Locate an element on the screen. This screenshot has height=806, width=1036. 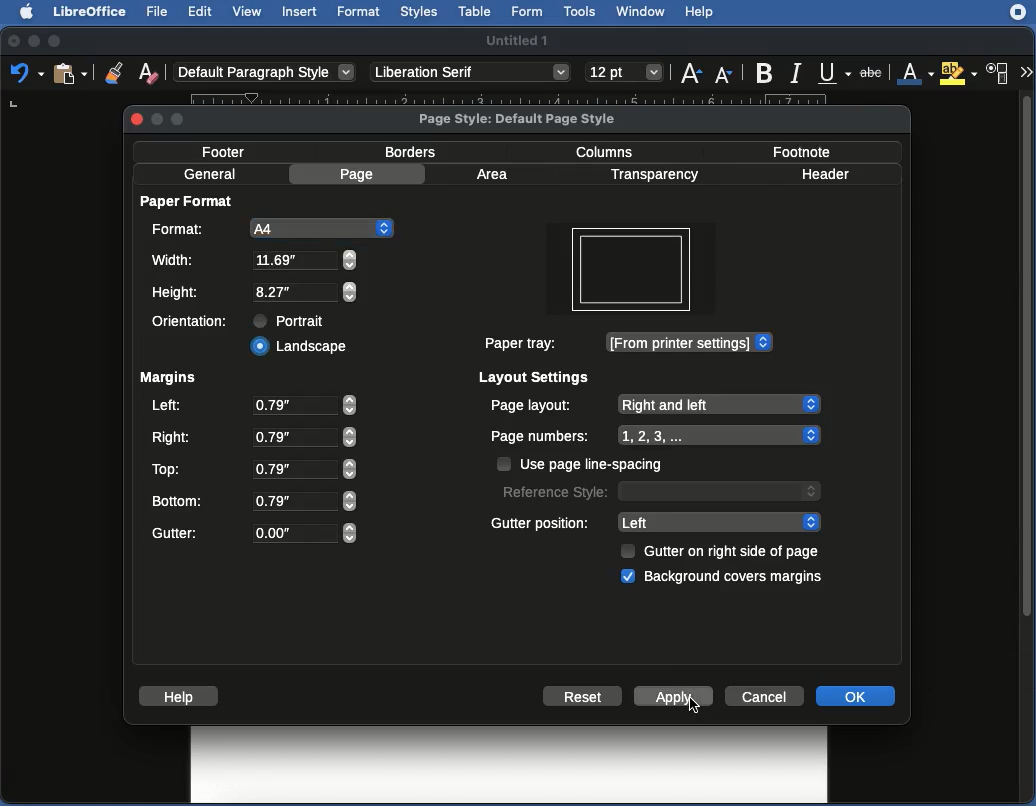
Default paragraph style is located at coordinates (271, 74).